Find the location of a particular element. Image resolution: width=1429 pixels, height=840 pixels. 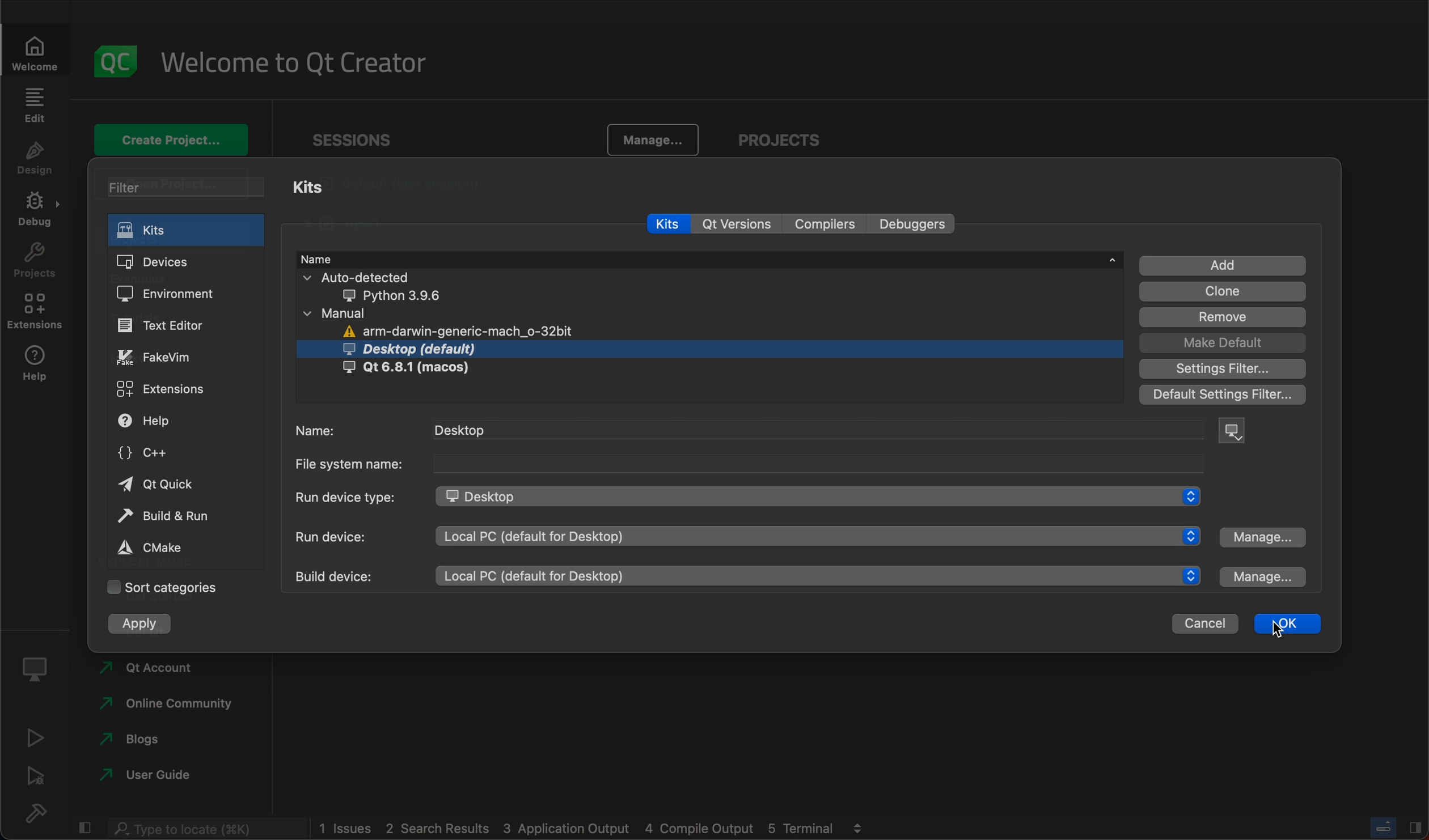

cursor is located at coordinates (1280, 633).